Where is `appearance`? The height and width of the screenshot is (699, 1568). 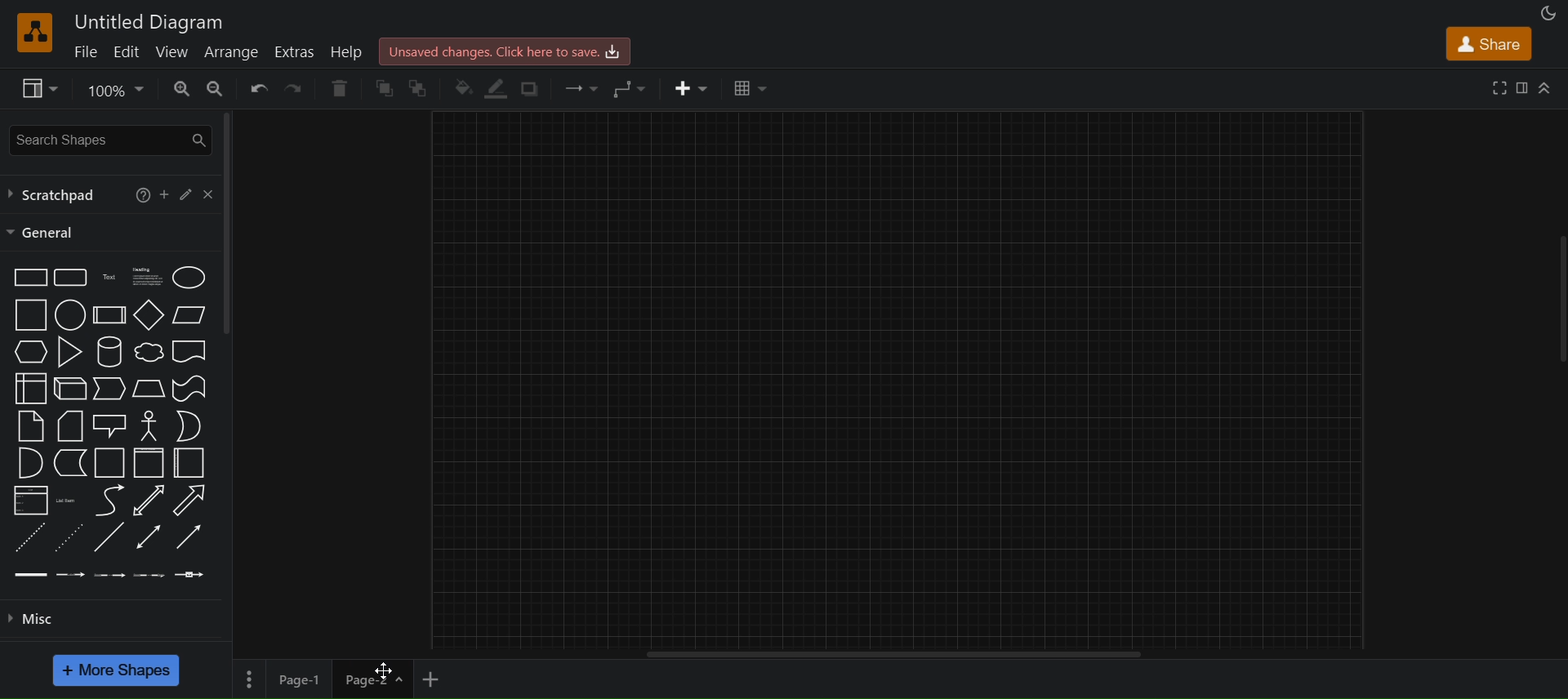
appearance is located at coordinates (1545, 11).